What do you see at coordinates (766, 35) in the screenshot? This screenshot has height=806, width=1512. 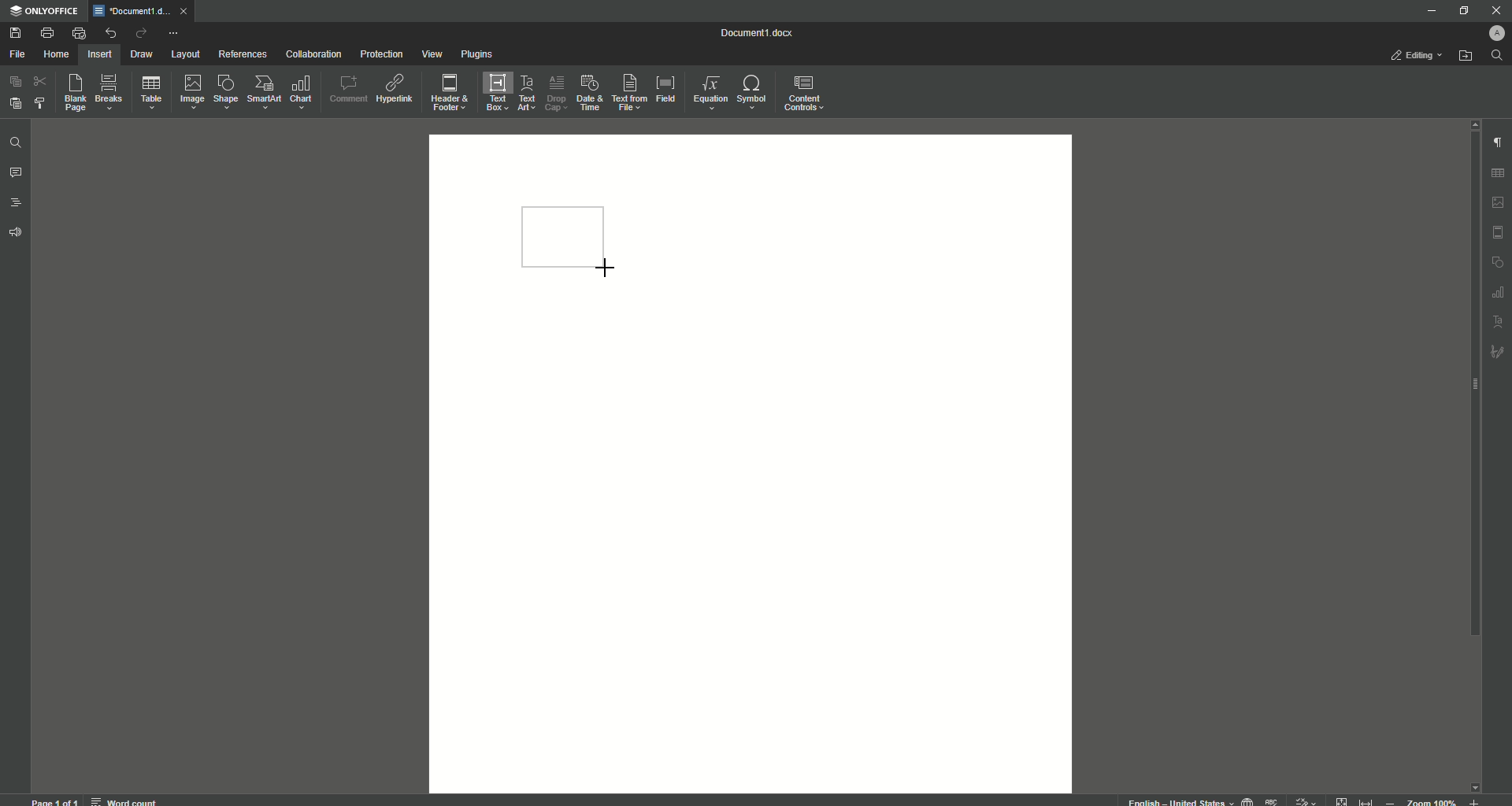 I see `Document 1` at bounding box center [766, 35].